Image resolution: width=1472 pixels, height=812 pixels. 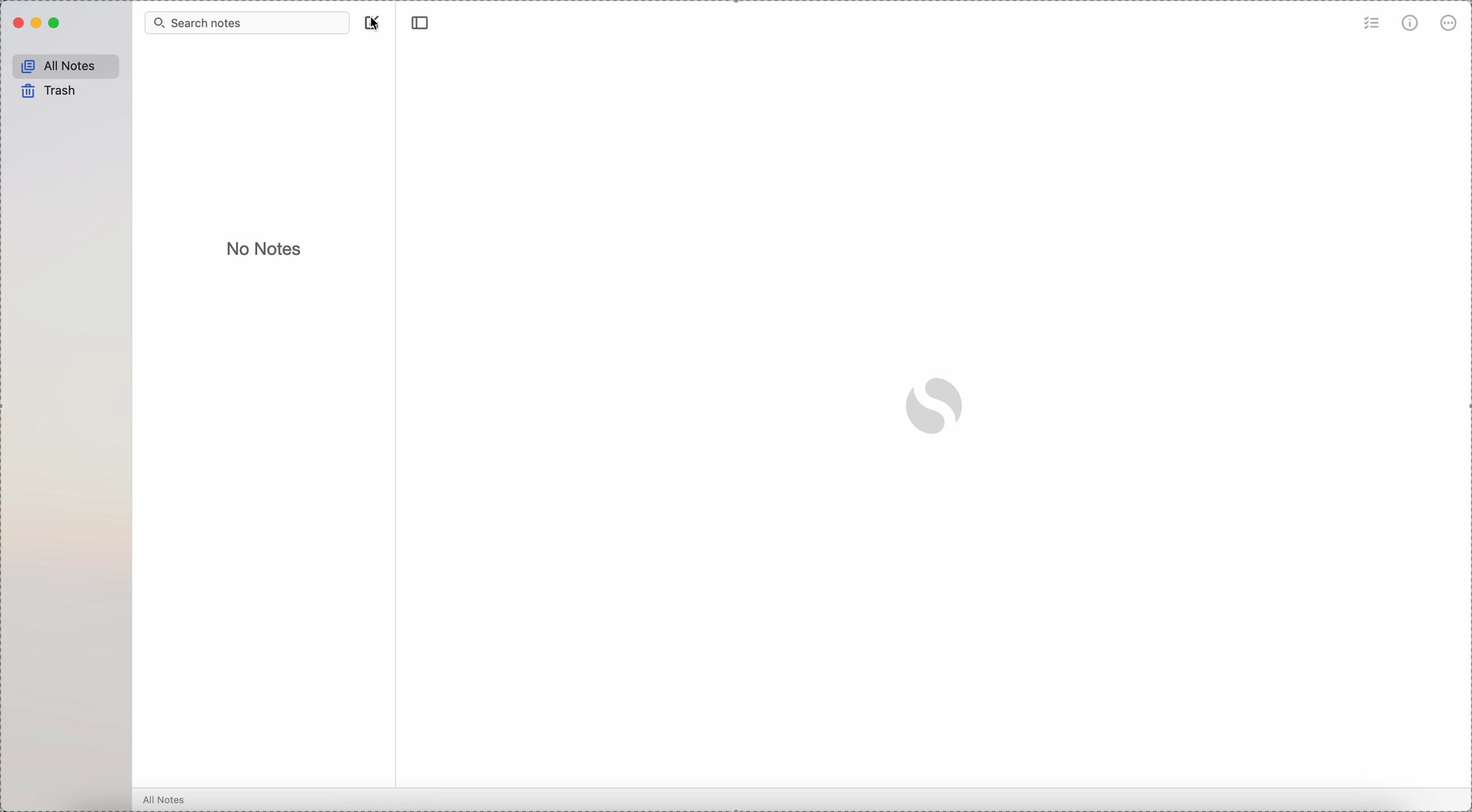 I want to click on metrics, so click(x=1411, y=22).